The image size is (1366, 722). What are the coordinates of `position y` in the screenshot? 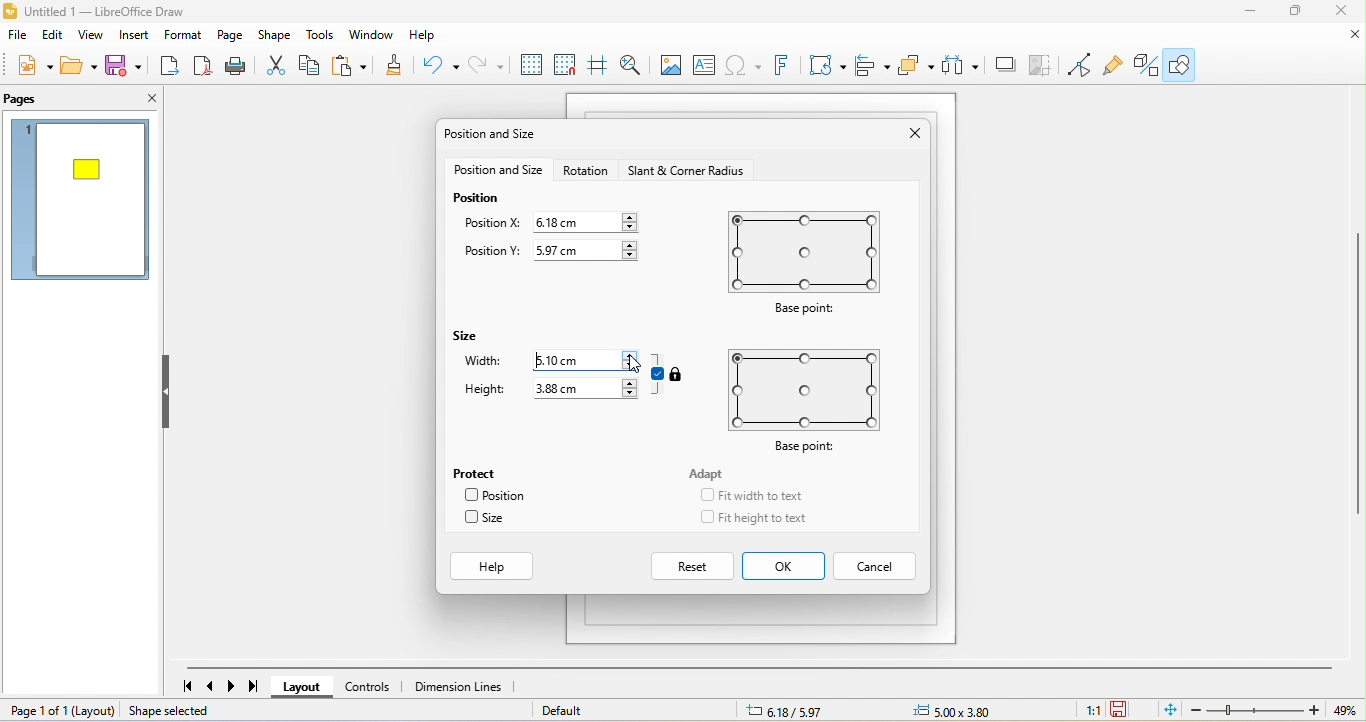 It's located at (485, 253).